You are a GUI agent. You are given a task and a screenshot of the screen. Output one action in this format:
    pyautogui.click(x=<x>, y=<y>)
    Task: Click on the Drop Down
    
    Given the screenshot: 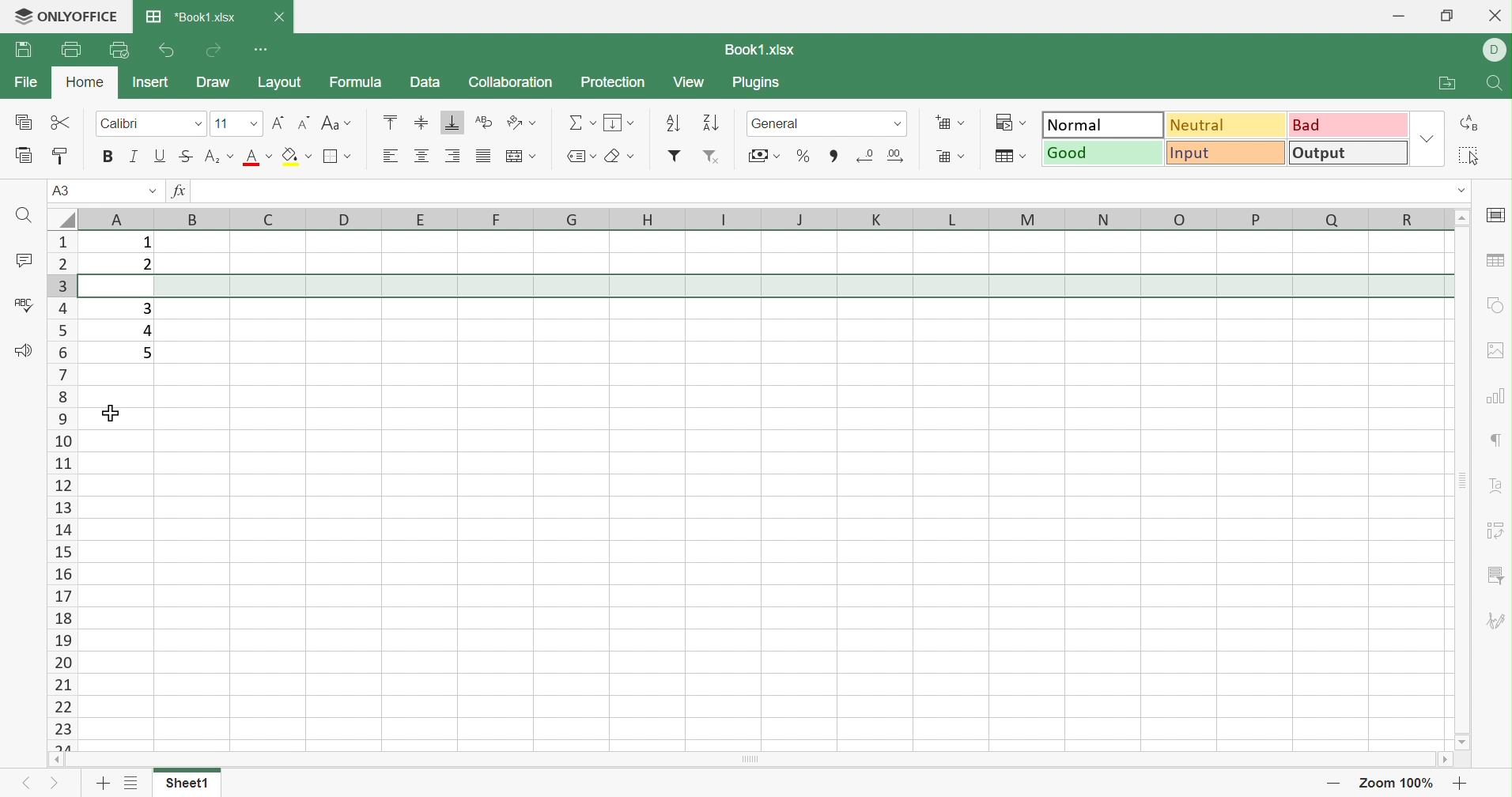 What is the action you would take?
    pyautogui.click(x=592, y=121)
    